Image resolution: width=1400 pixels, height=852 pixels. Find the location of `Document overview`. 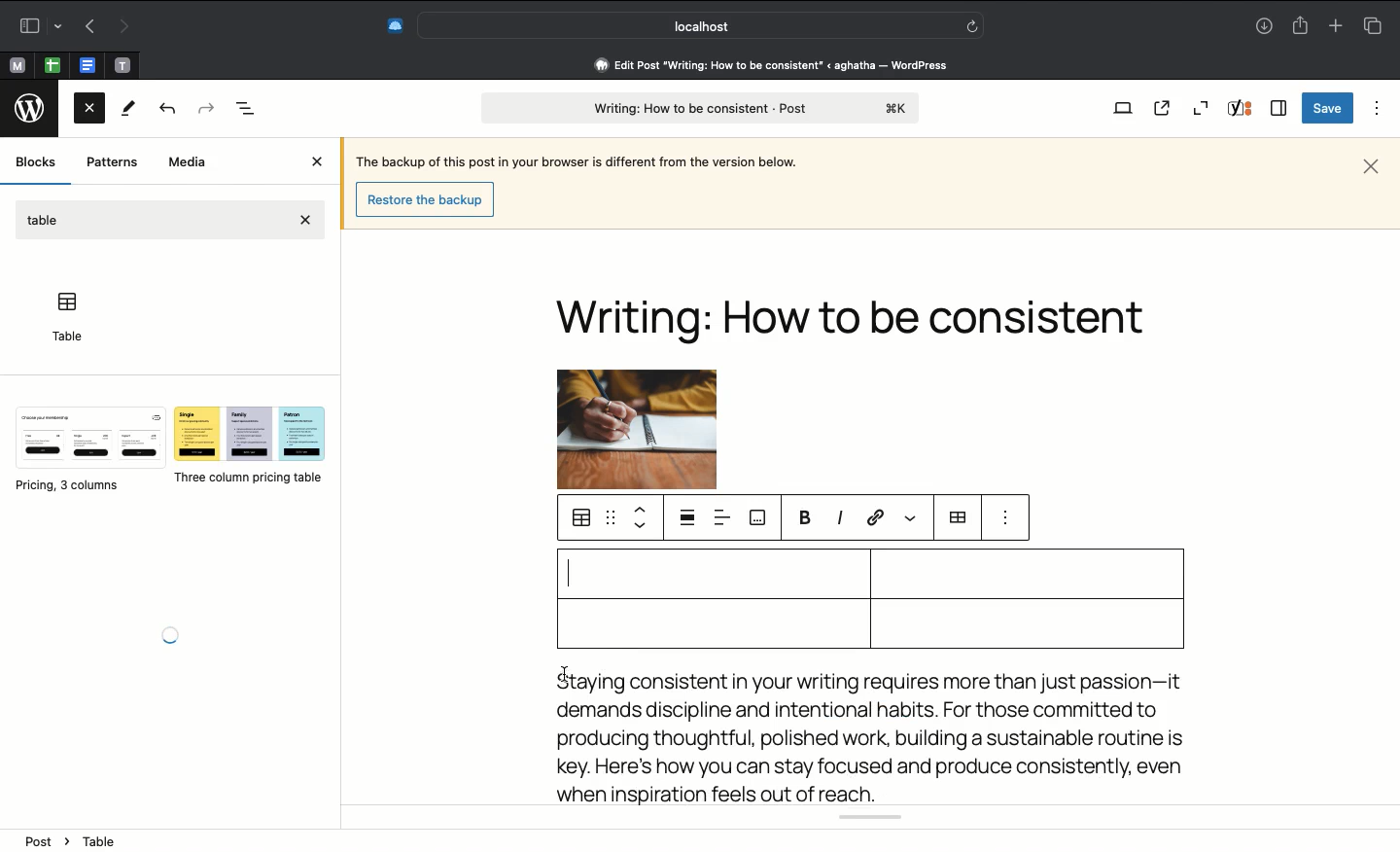

Document overview is located at coordinates (247, 109).